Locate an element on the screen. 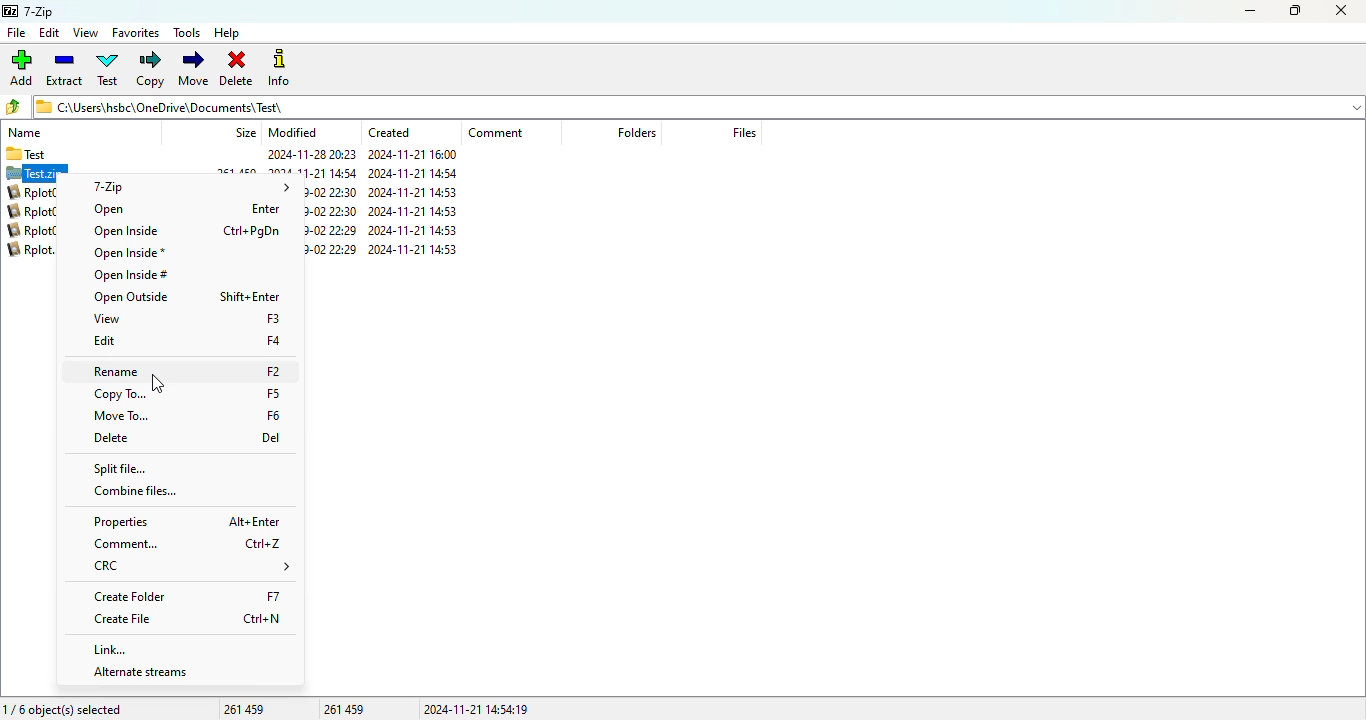 The height and width of the screenshot is (720, 1366). Ctrl+PgDn is located at coordinates (251, 230).